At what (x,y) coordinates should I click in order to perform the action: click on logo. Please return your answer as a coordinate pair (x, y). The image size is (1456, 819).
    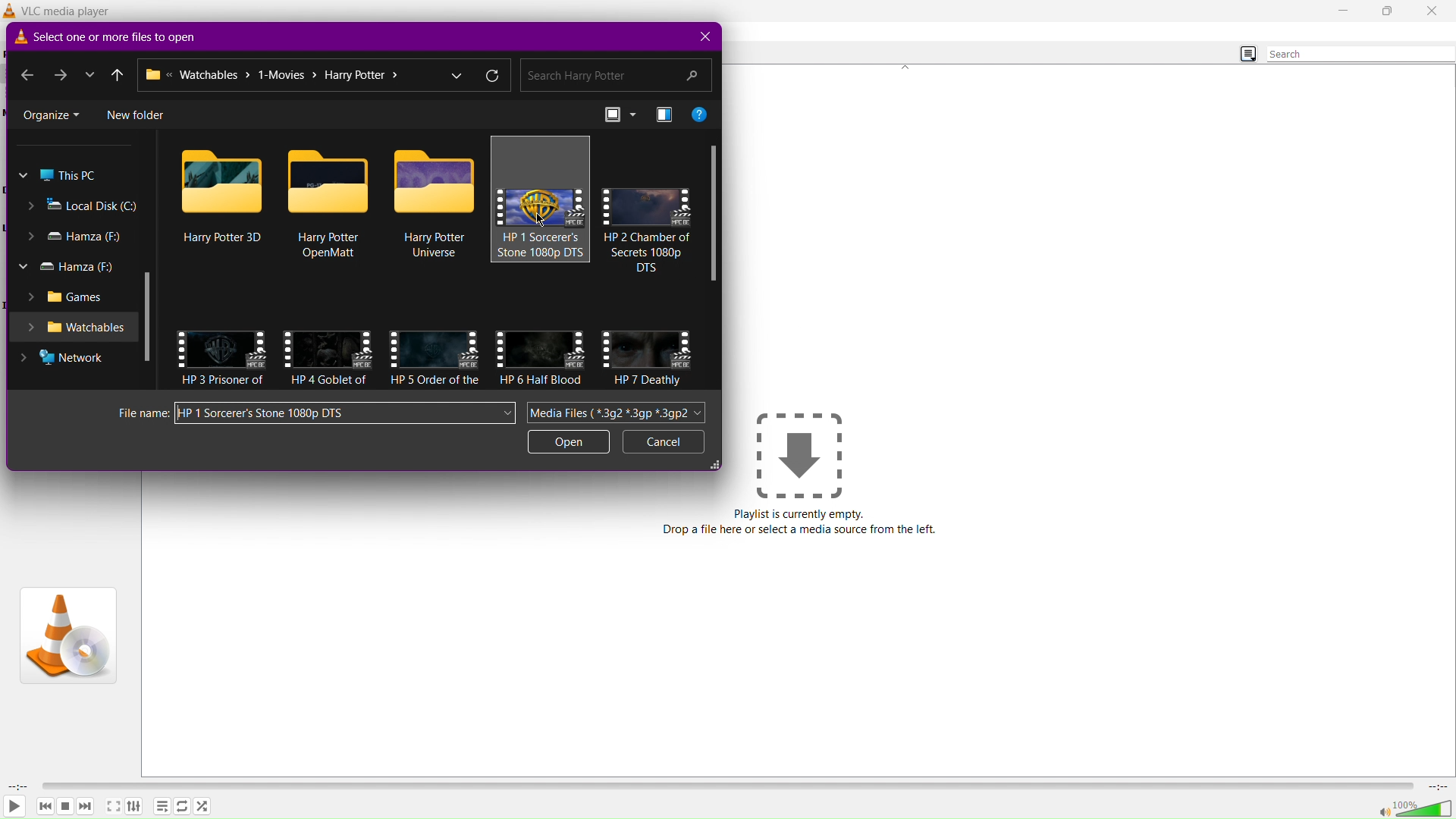
    Looking at the image, I should click on (18, 37).